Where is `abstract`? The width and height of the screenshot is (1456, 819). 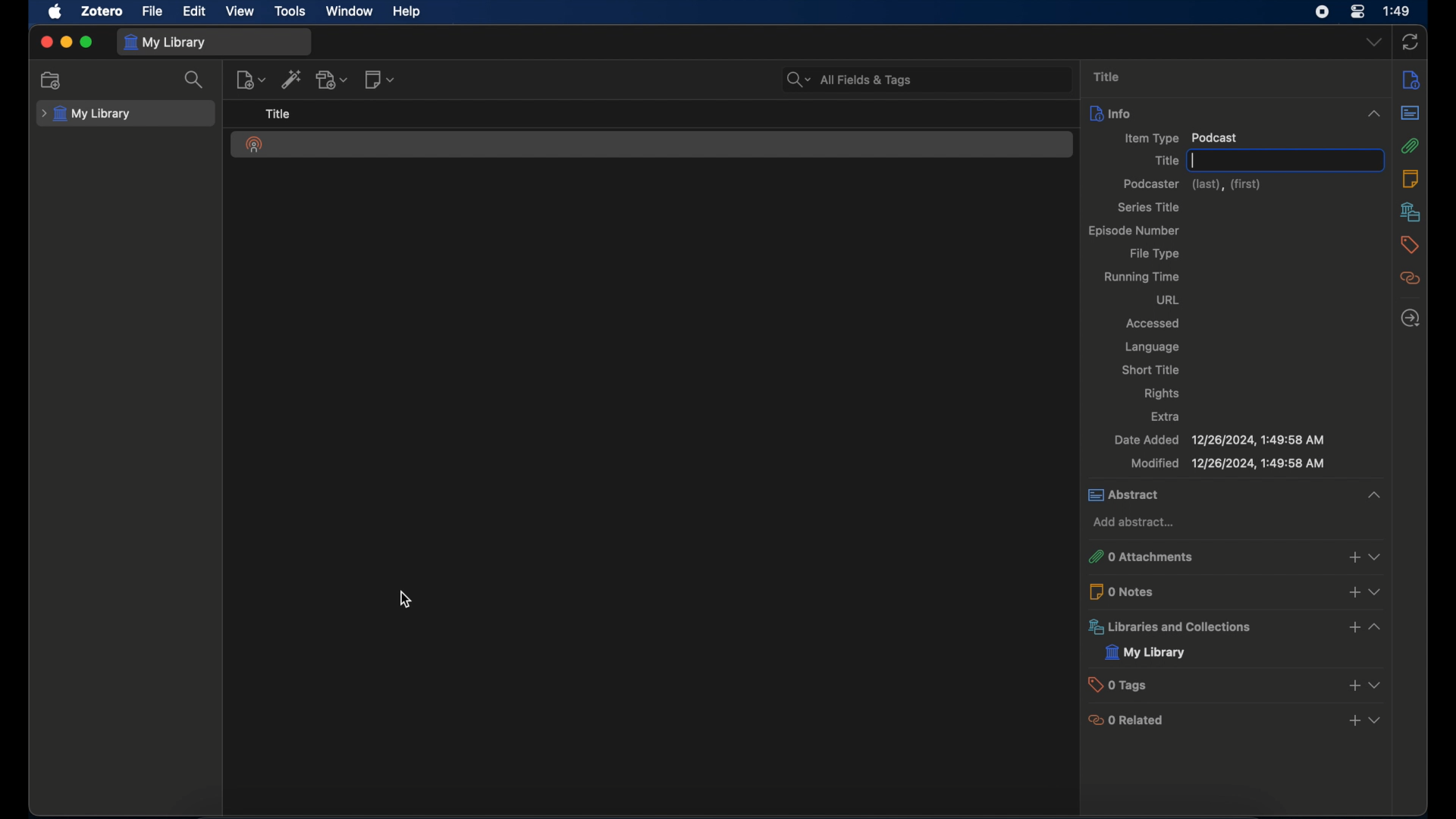 abstract is located at coordinates (1410, 113).